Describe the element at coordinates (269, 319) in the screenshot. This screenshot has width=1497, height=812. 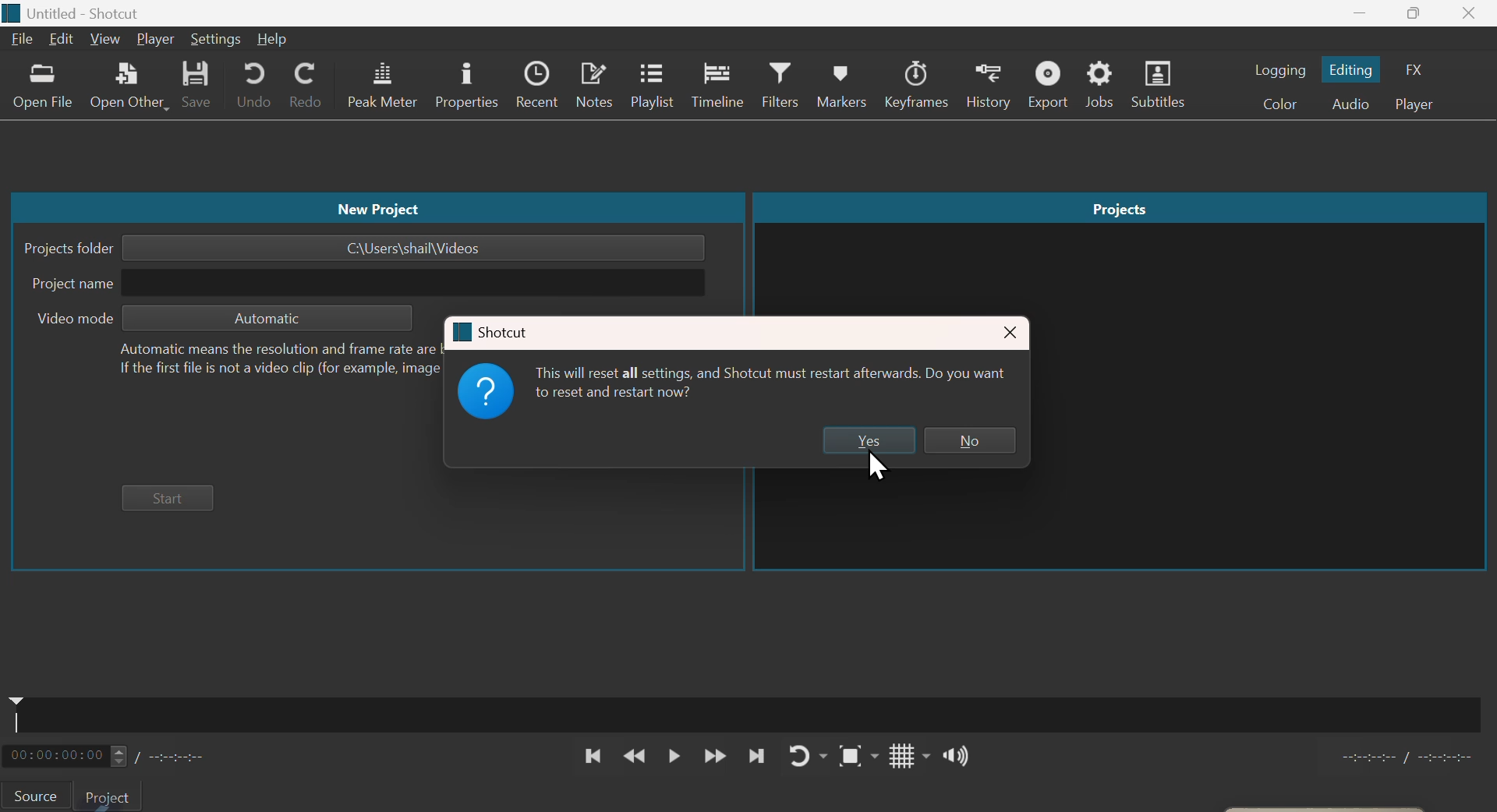
I see `Automatic` at that location.